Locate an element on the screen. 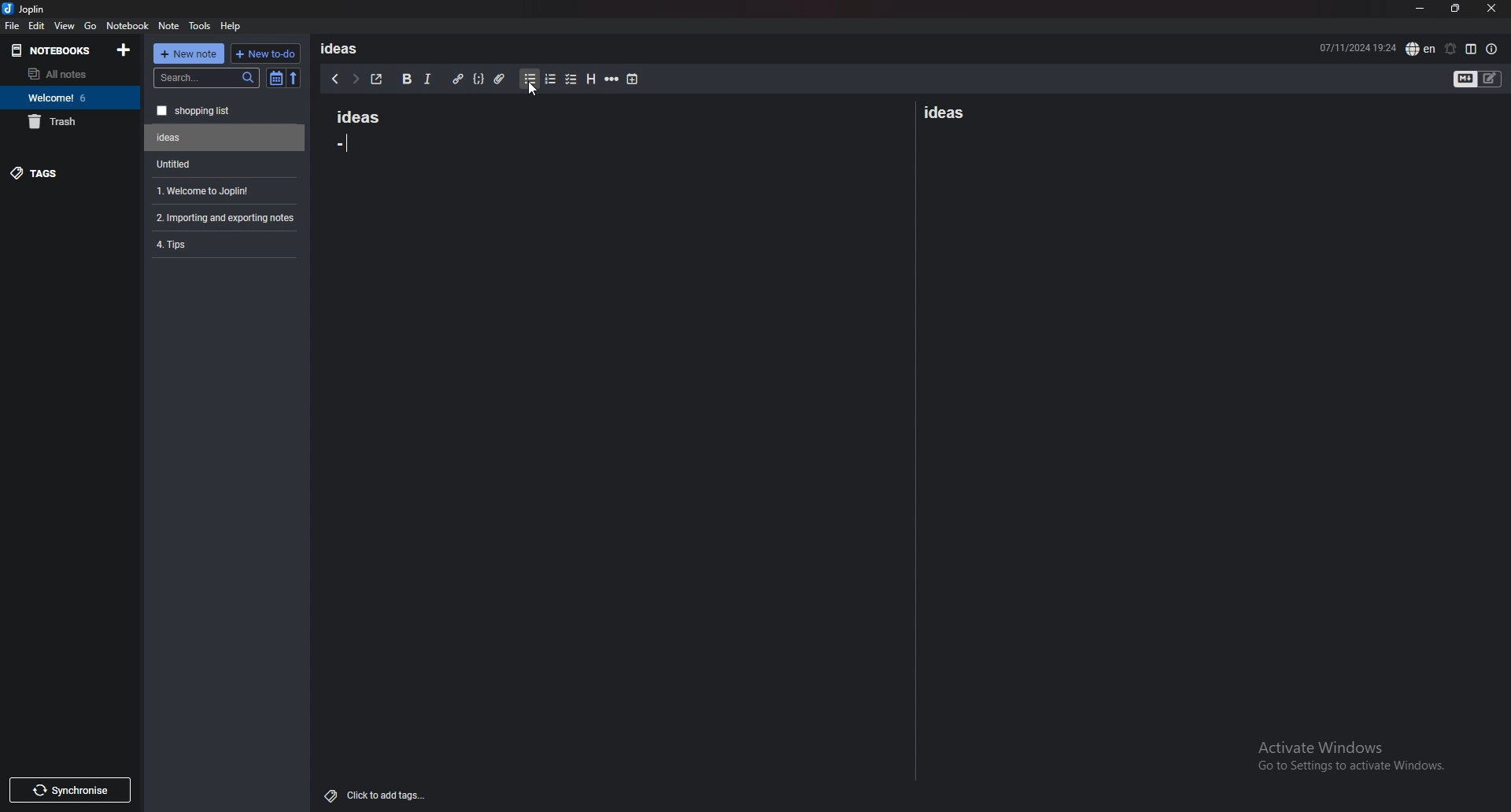 This screenshot has width=1511, height=812. attachment is located at coordinates (499, 78).